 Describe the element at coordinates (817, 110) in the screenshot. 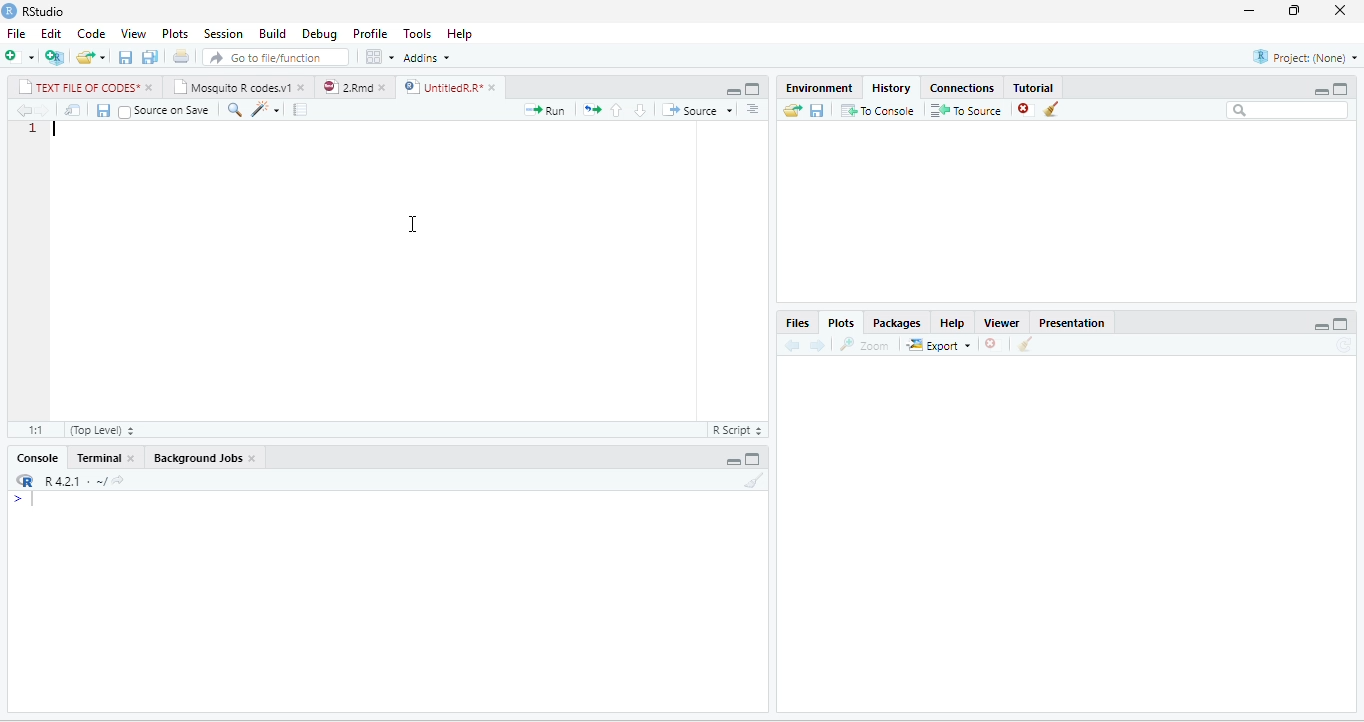

I see `save` at that location.